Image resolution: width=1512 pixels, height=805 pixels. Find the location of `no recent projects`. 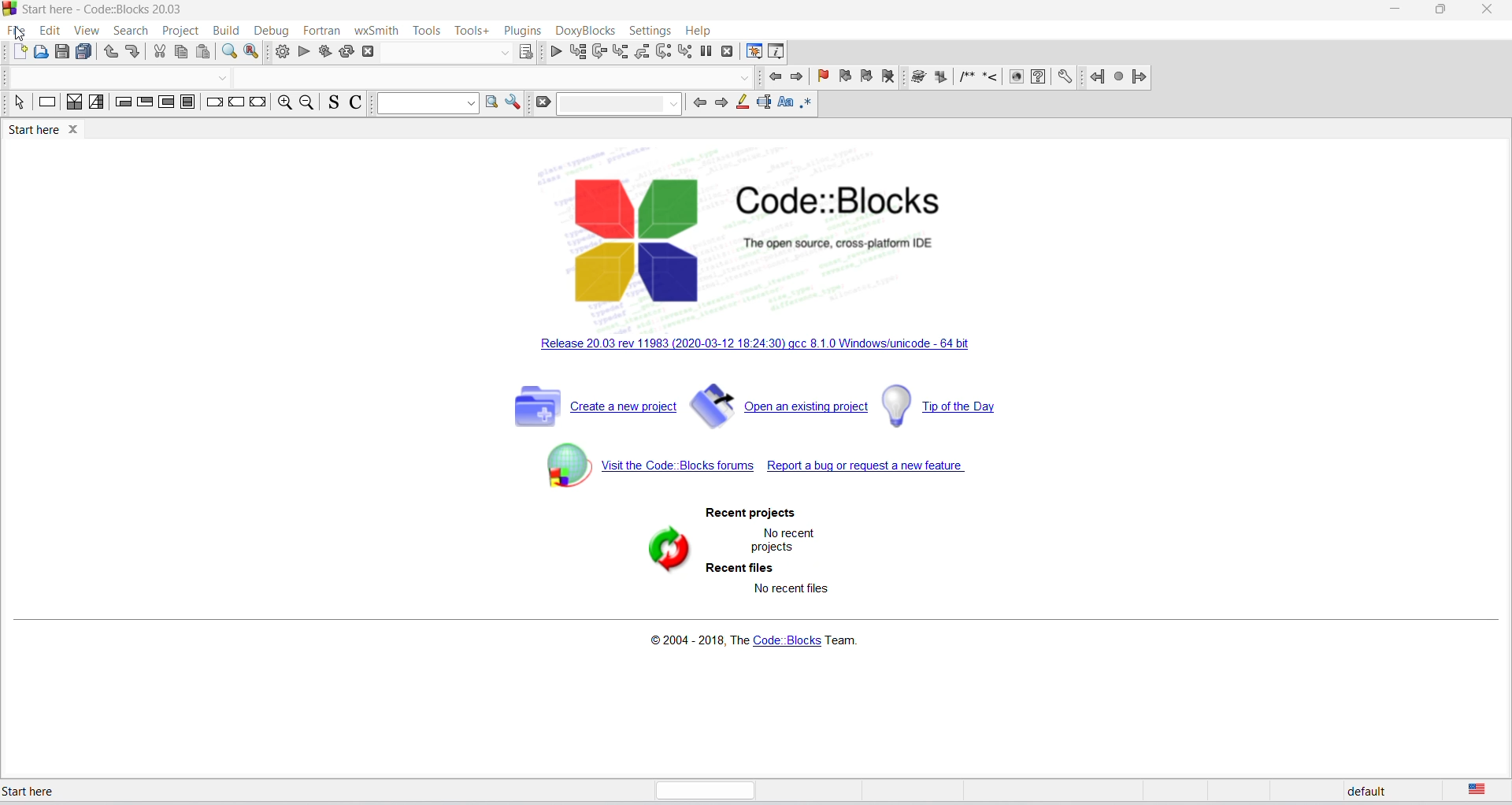

no recent projects is located at coordinates (777, 540).